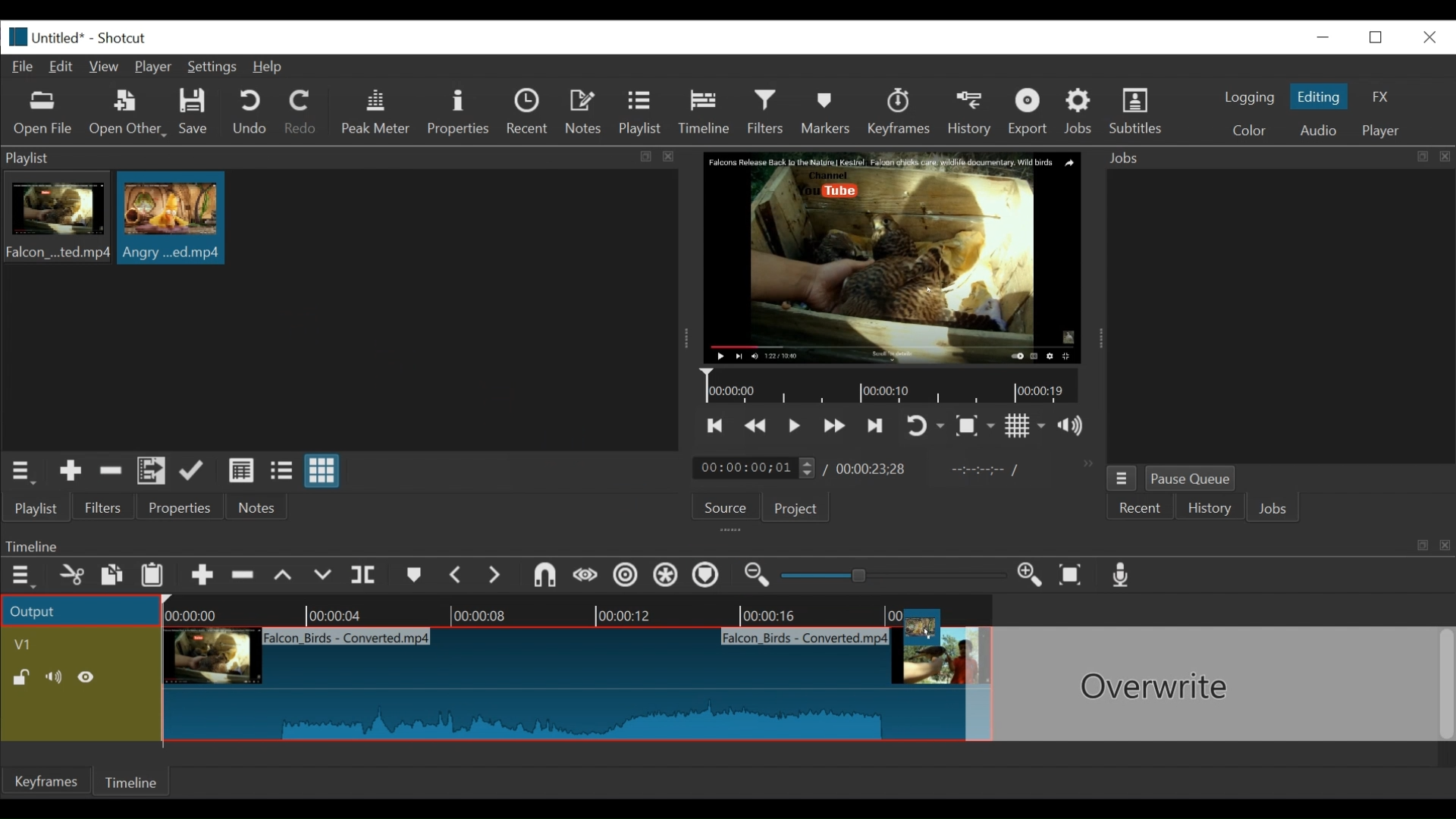 Image resolution: width=1456 pixels, height=819 pixels. Describe the element at coordinates (756, 469) in the screenshot. I see `current duration` at that location.